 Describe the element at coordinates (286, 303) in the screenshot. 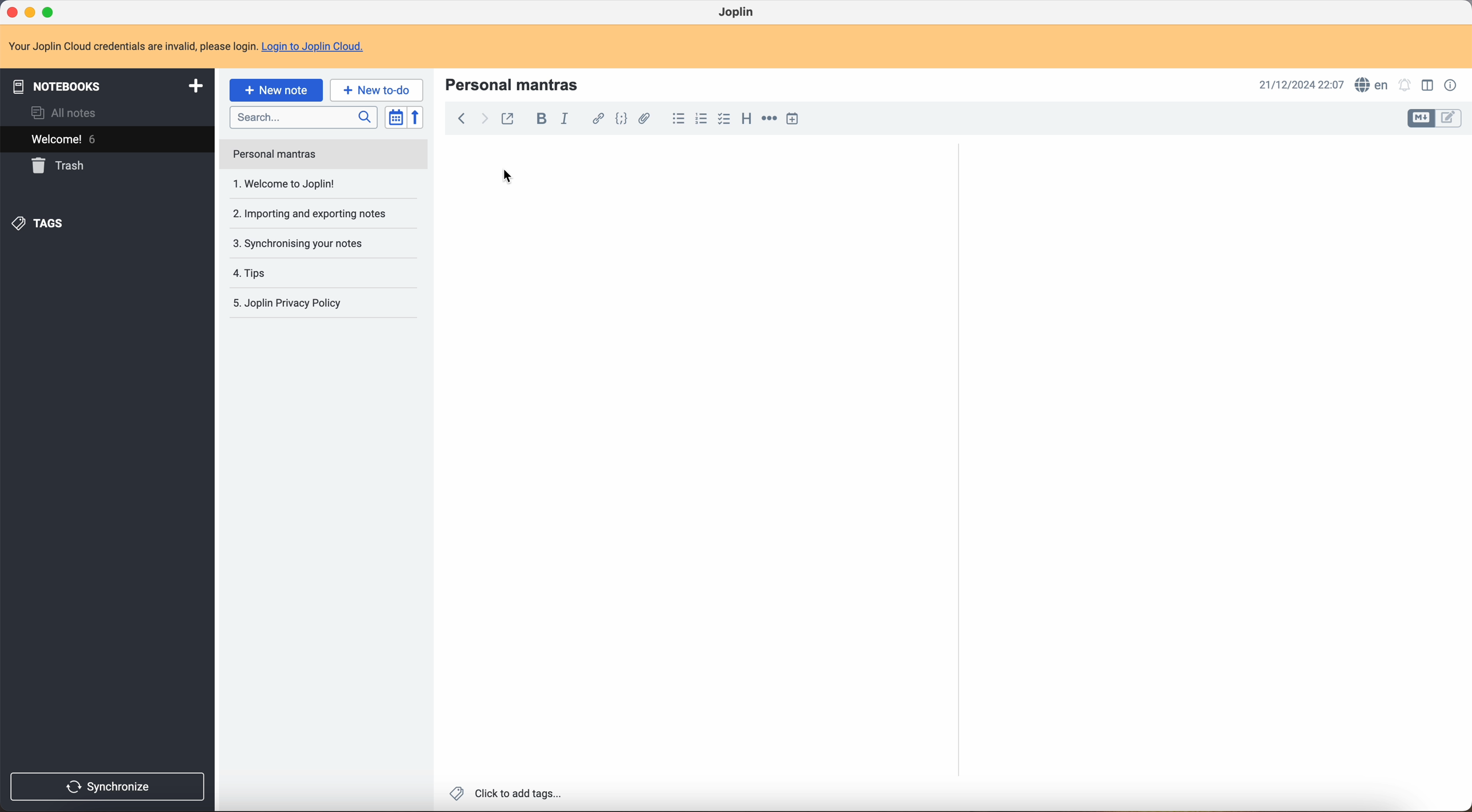

I see `Joplin privacy p olicy` at that location.